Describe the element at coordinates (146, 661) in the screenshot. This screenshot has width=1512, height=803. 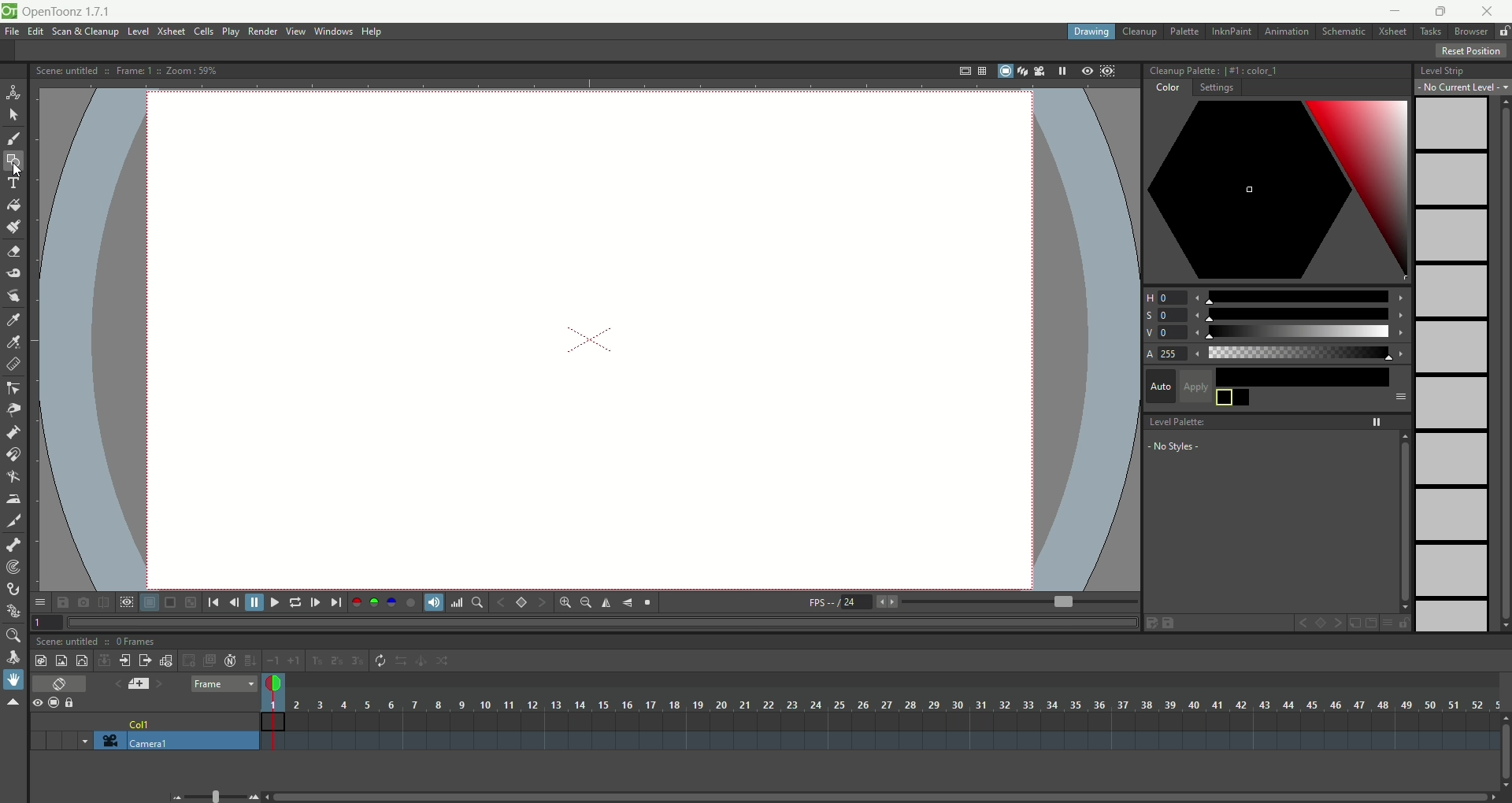
I see `close sub-Xsheet` at that location.